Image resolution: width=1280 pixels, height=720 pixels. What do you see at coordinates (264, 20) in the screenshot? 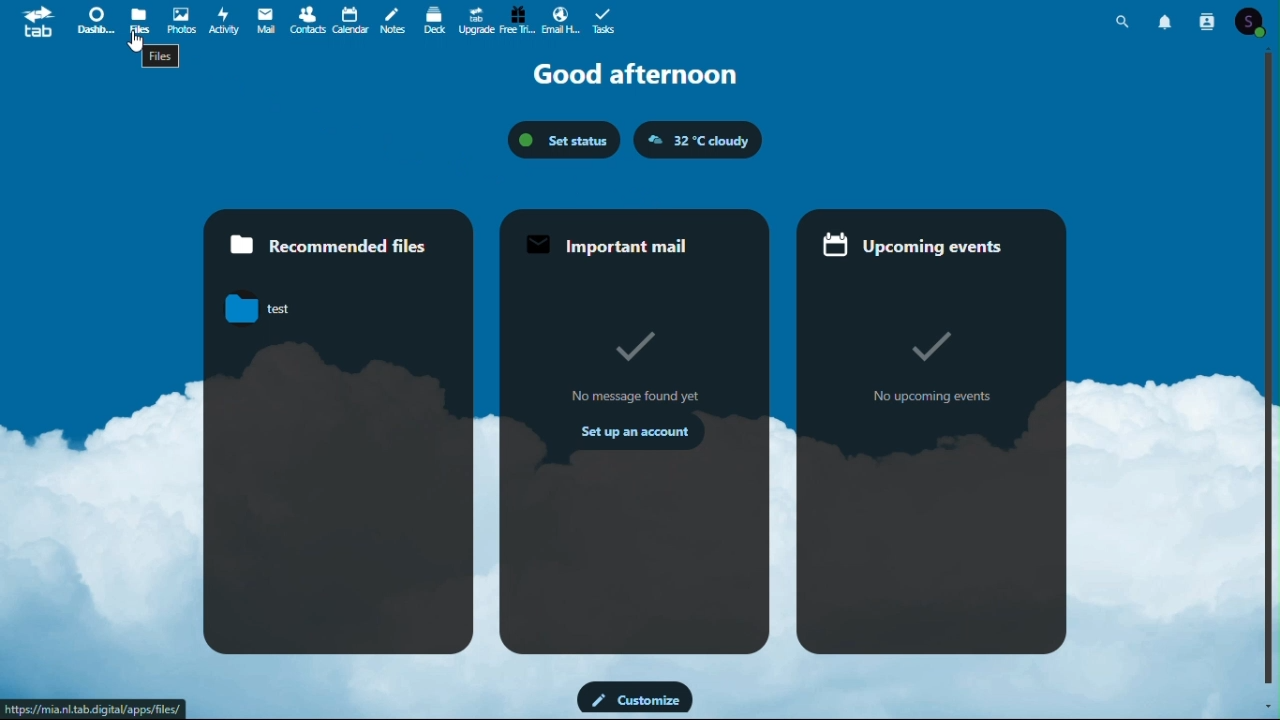
I see `mail` at bounding box center [264, 20].